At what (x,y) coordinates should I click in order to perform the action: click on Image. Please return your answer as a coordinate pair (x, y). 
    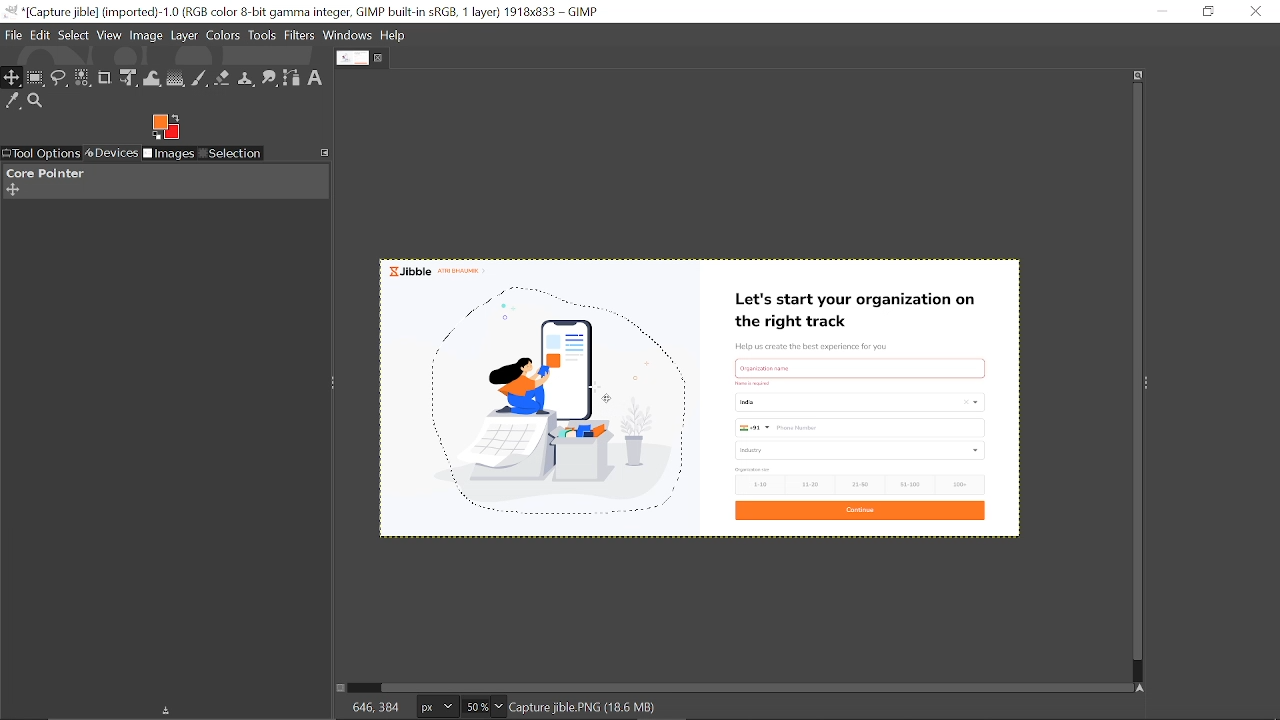
    Looking at the image, I should click on (147, 36).